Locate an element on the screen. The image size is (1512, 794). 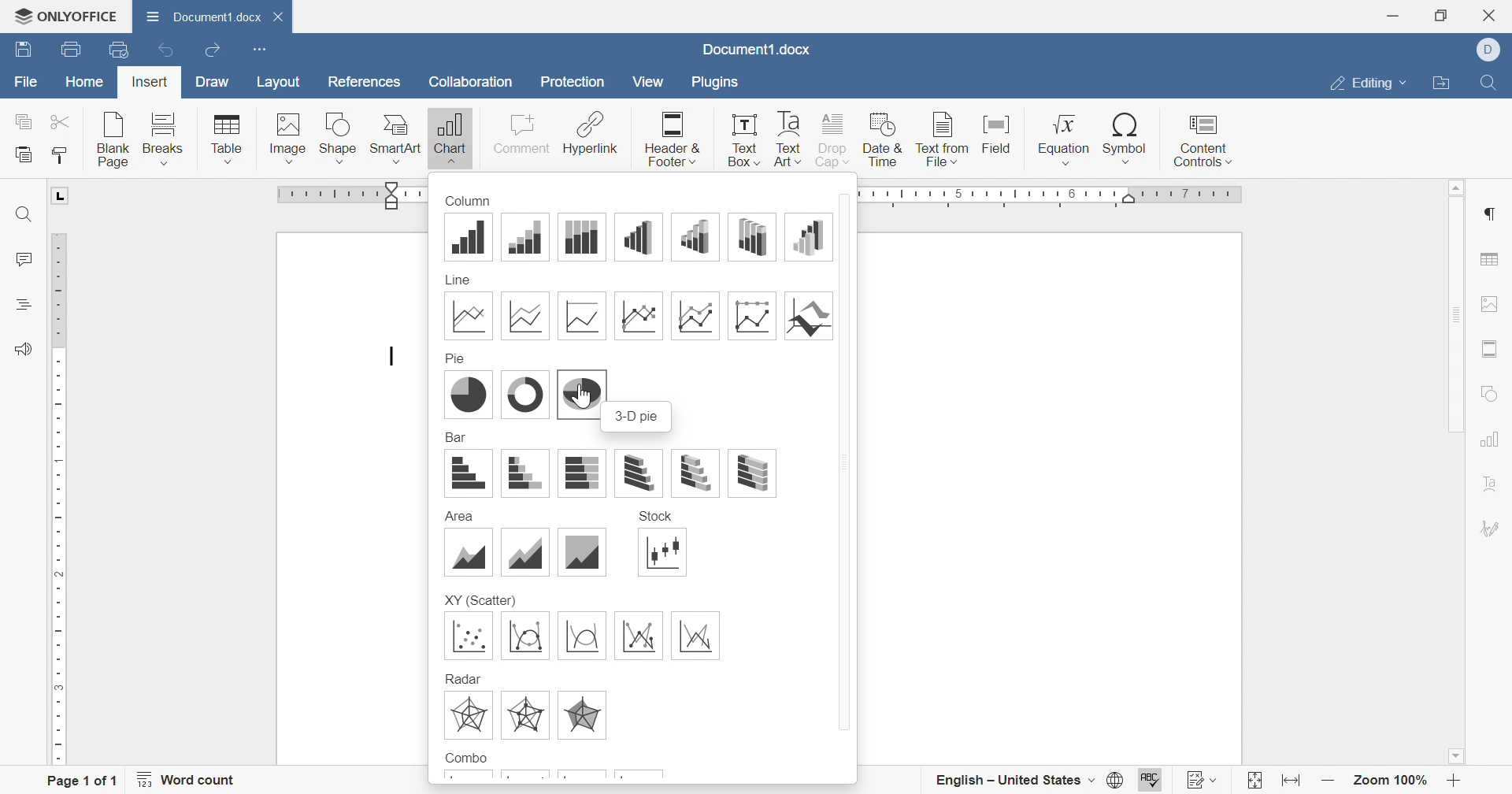
3-D 100% Stacked Bar is located at coordinates (751, 474).